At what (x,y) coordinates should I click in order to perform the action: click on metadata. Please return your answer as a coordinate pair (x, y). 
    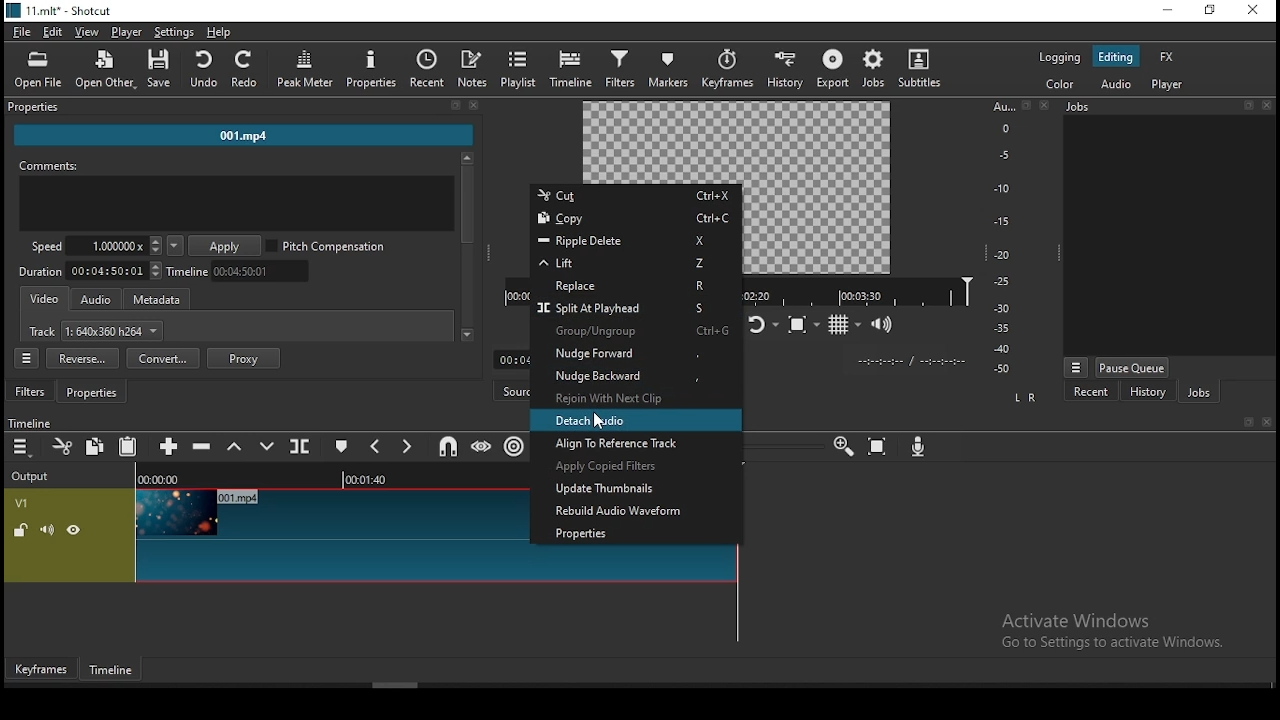
    Looking at the image, I should click on (159, 298).